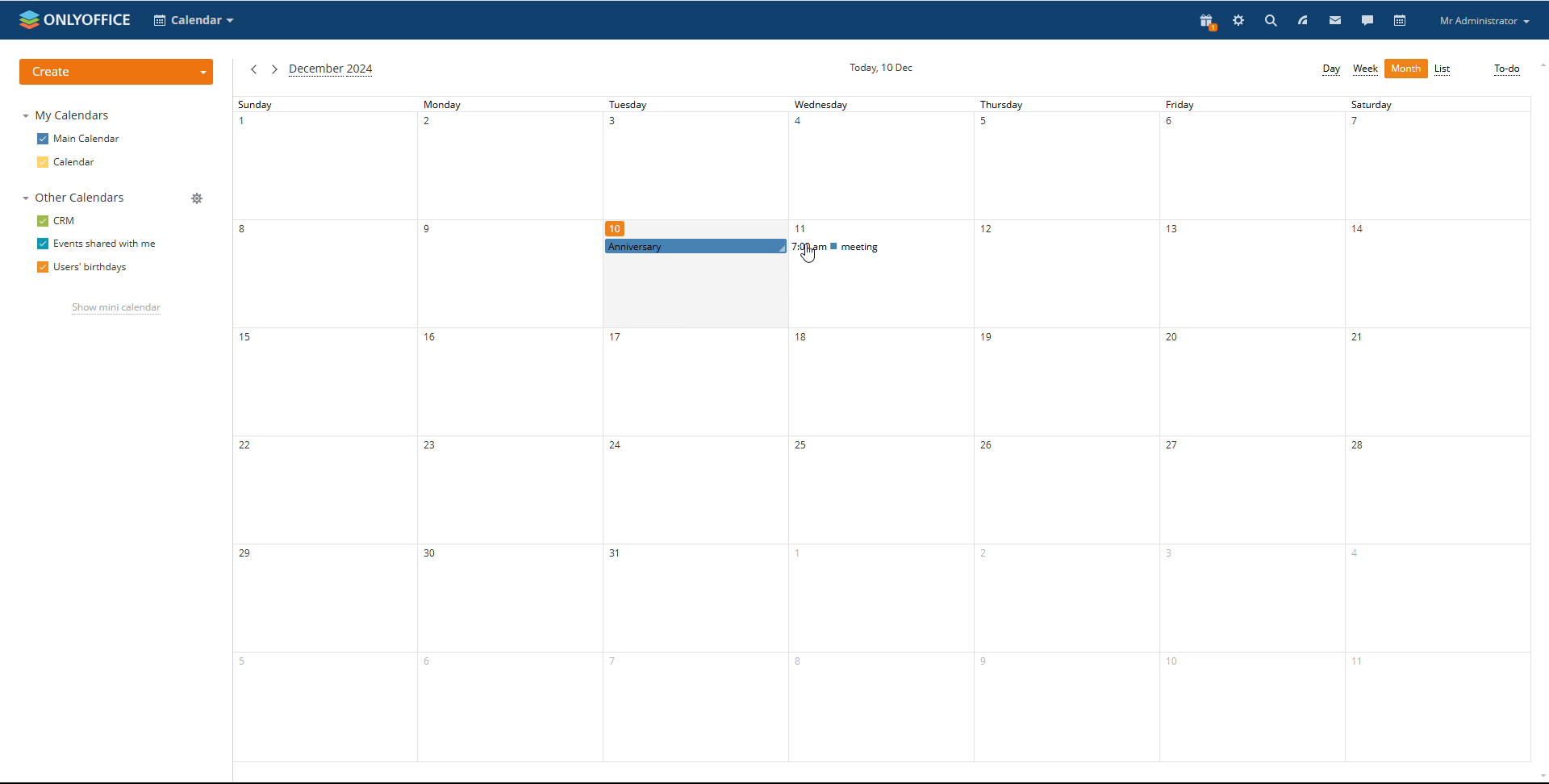 This screenshot has height=784, width=1549. Describe the element at coordinates (118, 72) in the screenshot. I see `create` at that location.